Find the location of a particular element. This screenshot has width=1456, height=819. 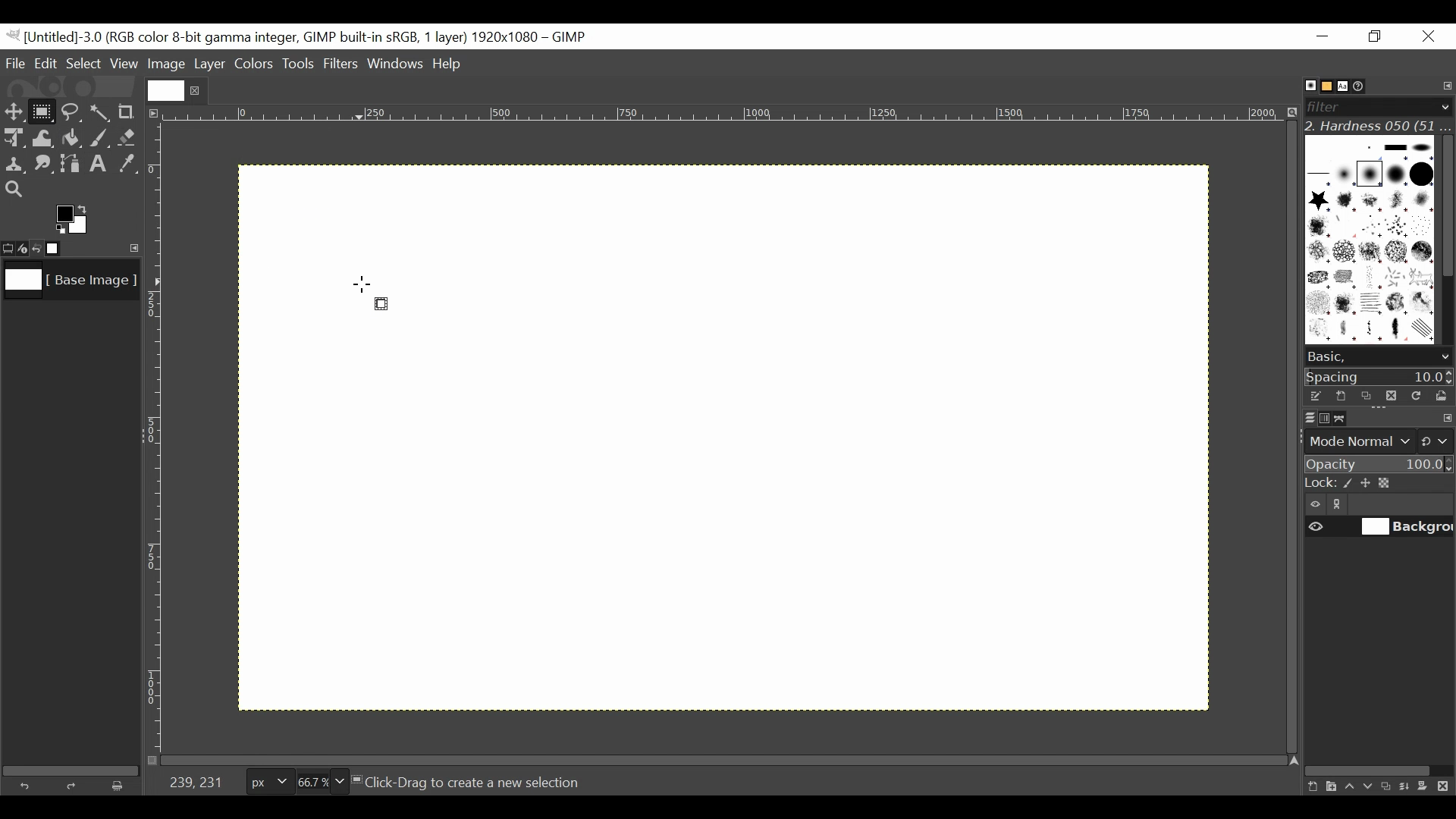

Opacity is located at coordinates (1377, 465).